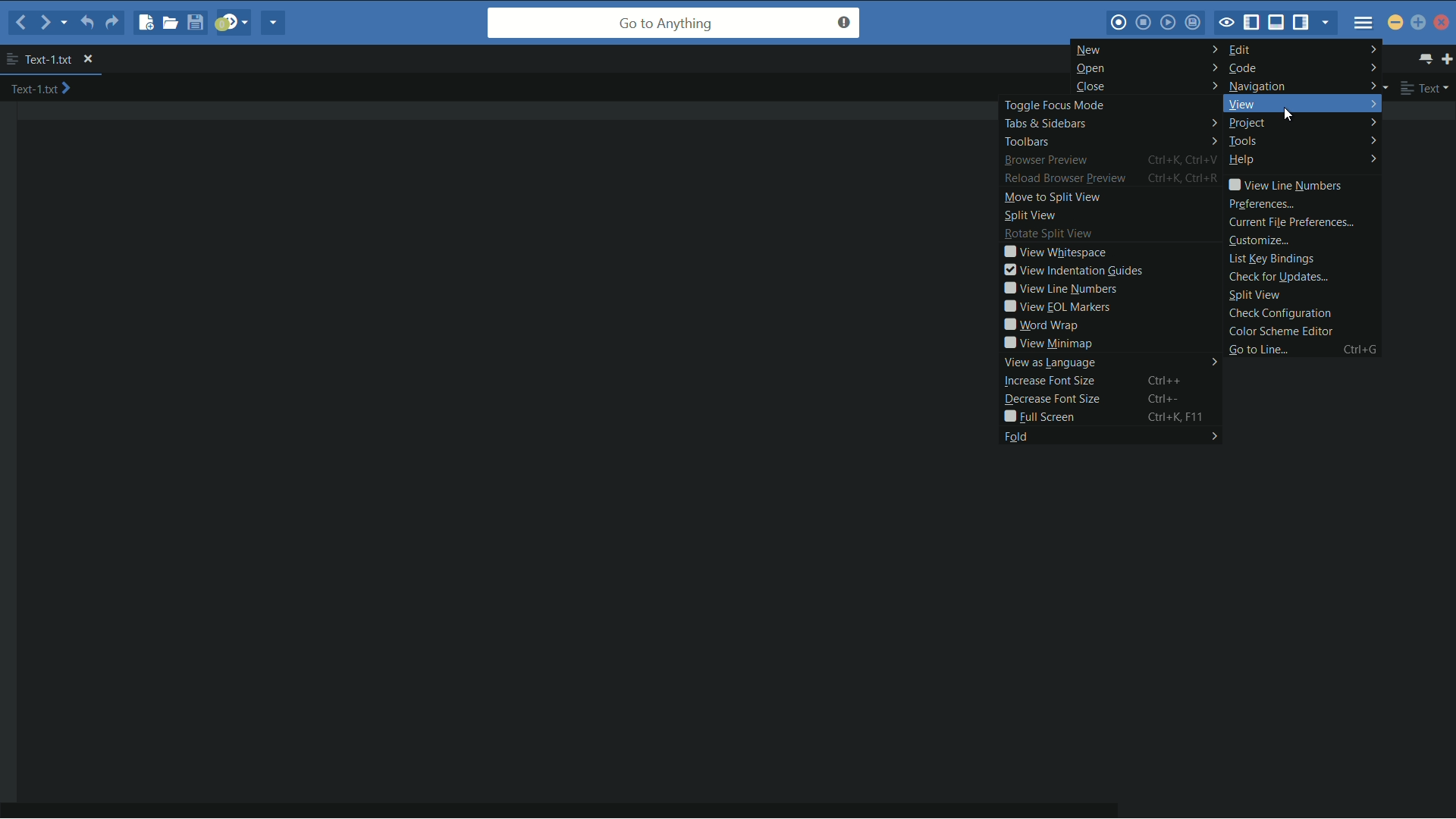 Image resolution: width=1456 pixels, height=819 pixels. Describe the element at coordinates (1107, 363) in the screenshot. I see `view as language` at that location.